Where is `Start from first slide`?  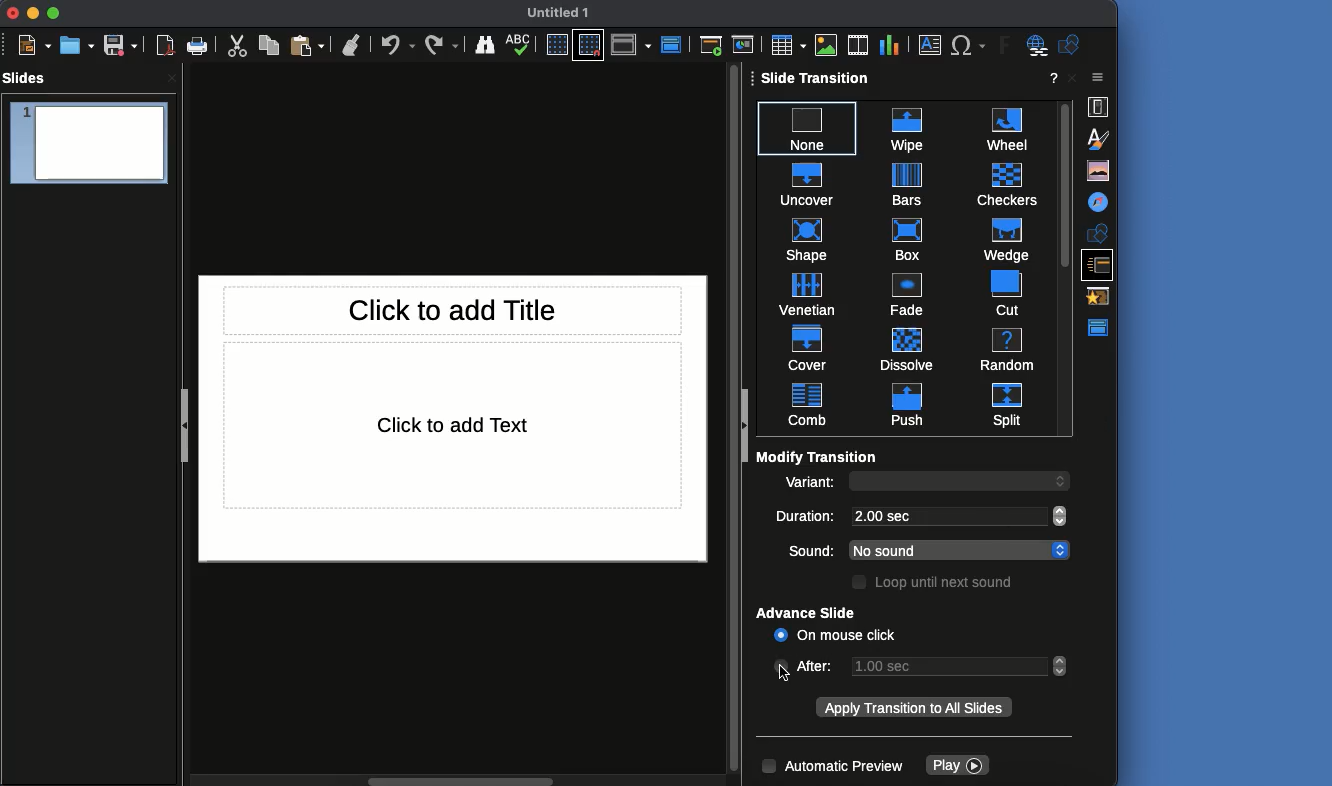
Start from first slide is located at coordinates (710, 46).